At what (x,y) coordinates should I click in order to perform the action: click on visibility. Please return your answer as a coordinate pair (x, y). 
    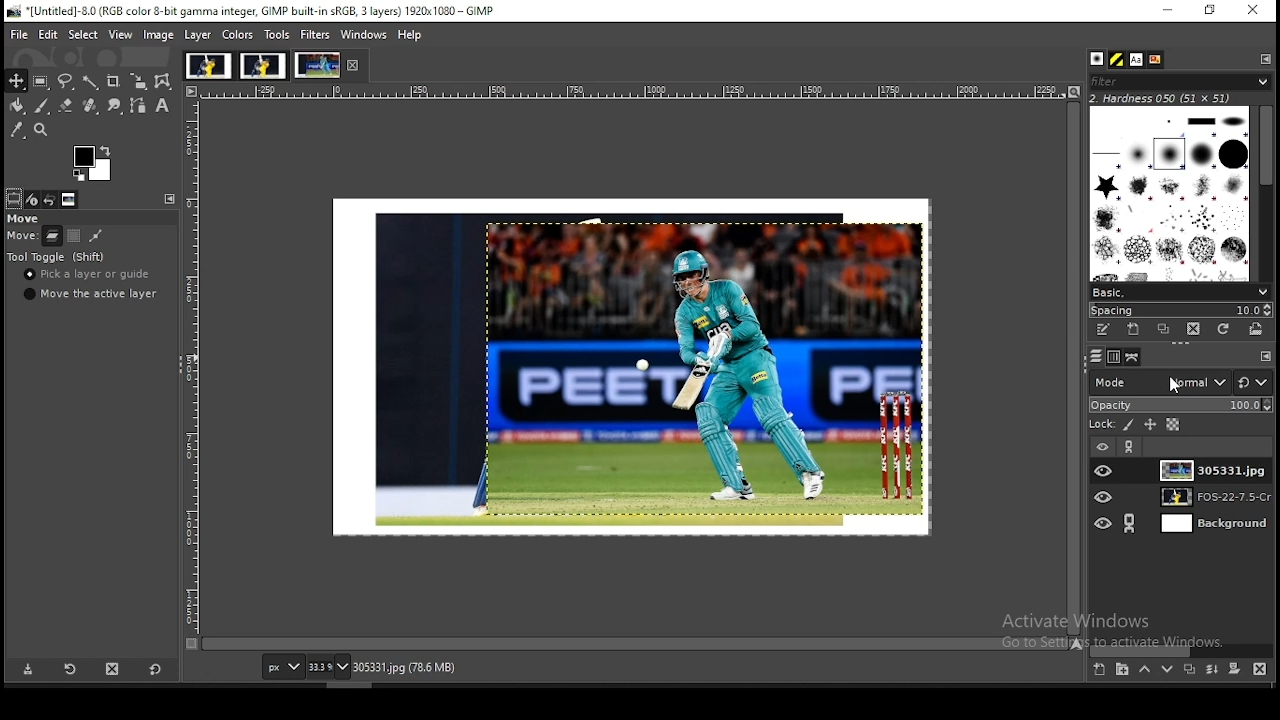
    Looking at the image, I should click on (1103, 446).